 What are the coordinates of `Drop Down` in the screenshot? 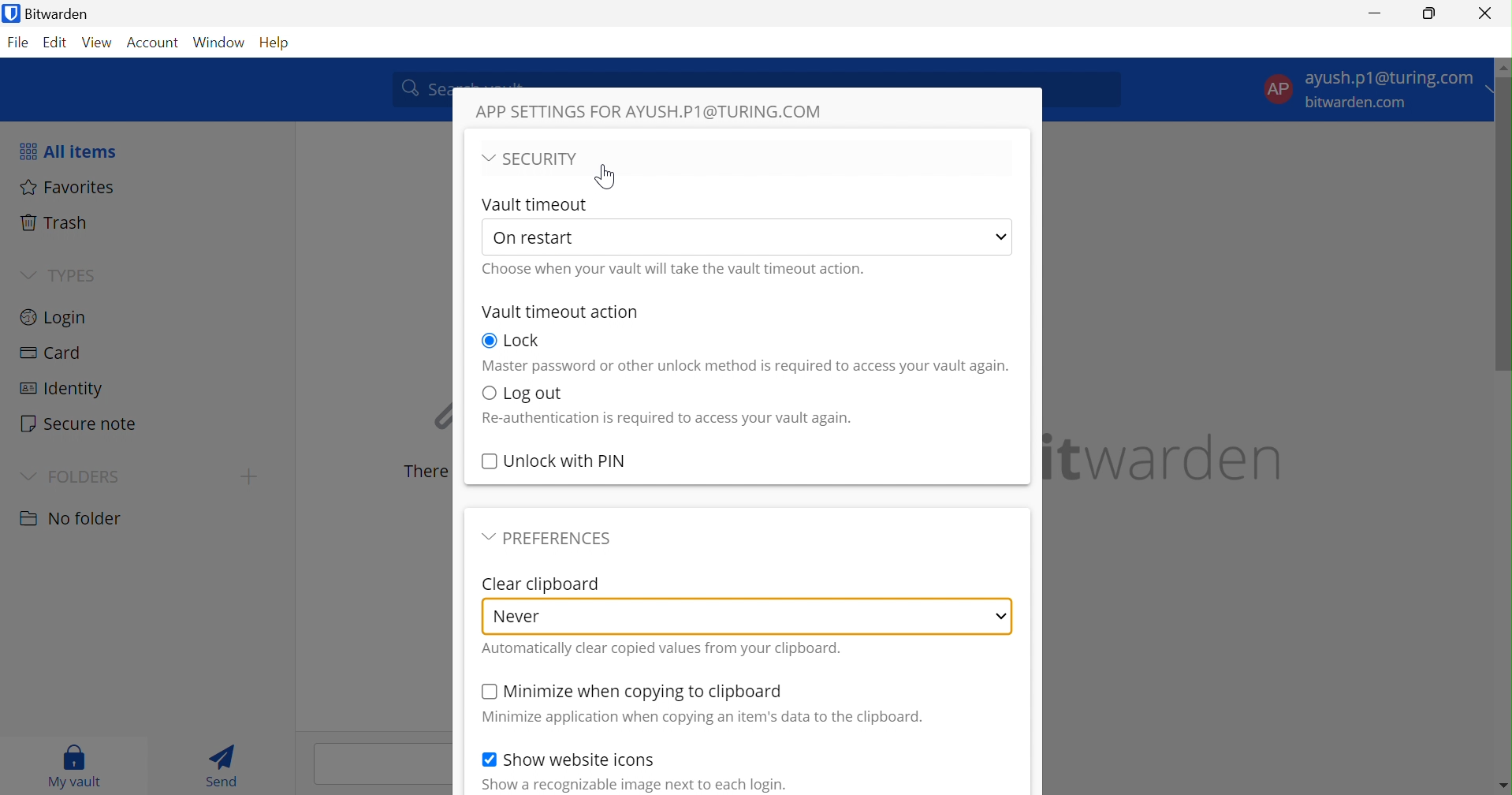 It's located at (28, 275).